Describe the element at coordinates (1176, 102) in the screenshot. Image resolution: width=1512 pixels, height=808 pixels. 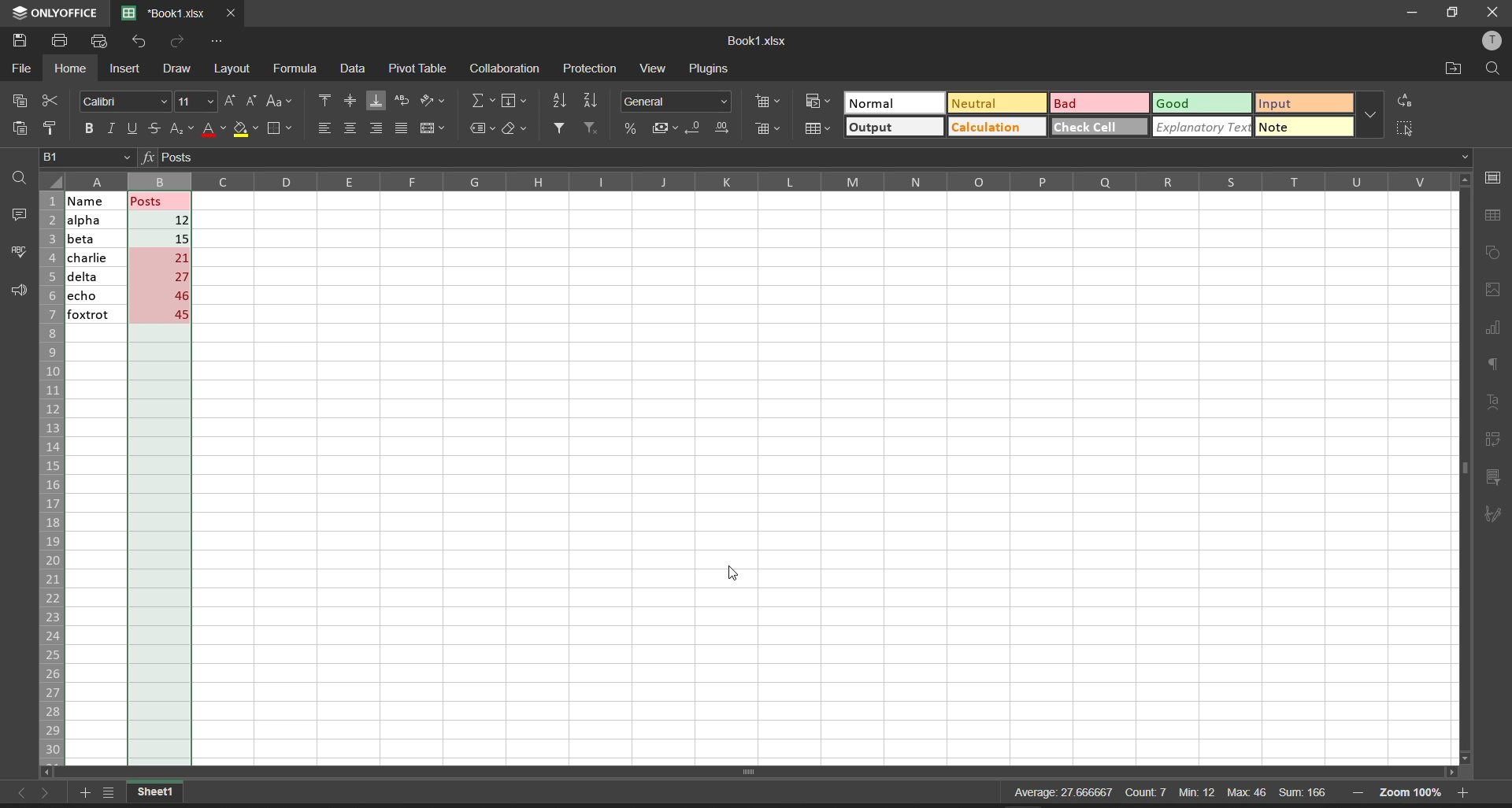
I see `Good` at that location.